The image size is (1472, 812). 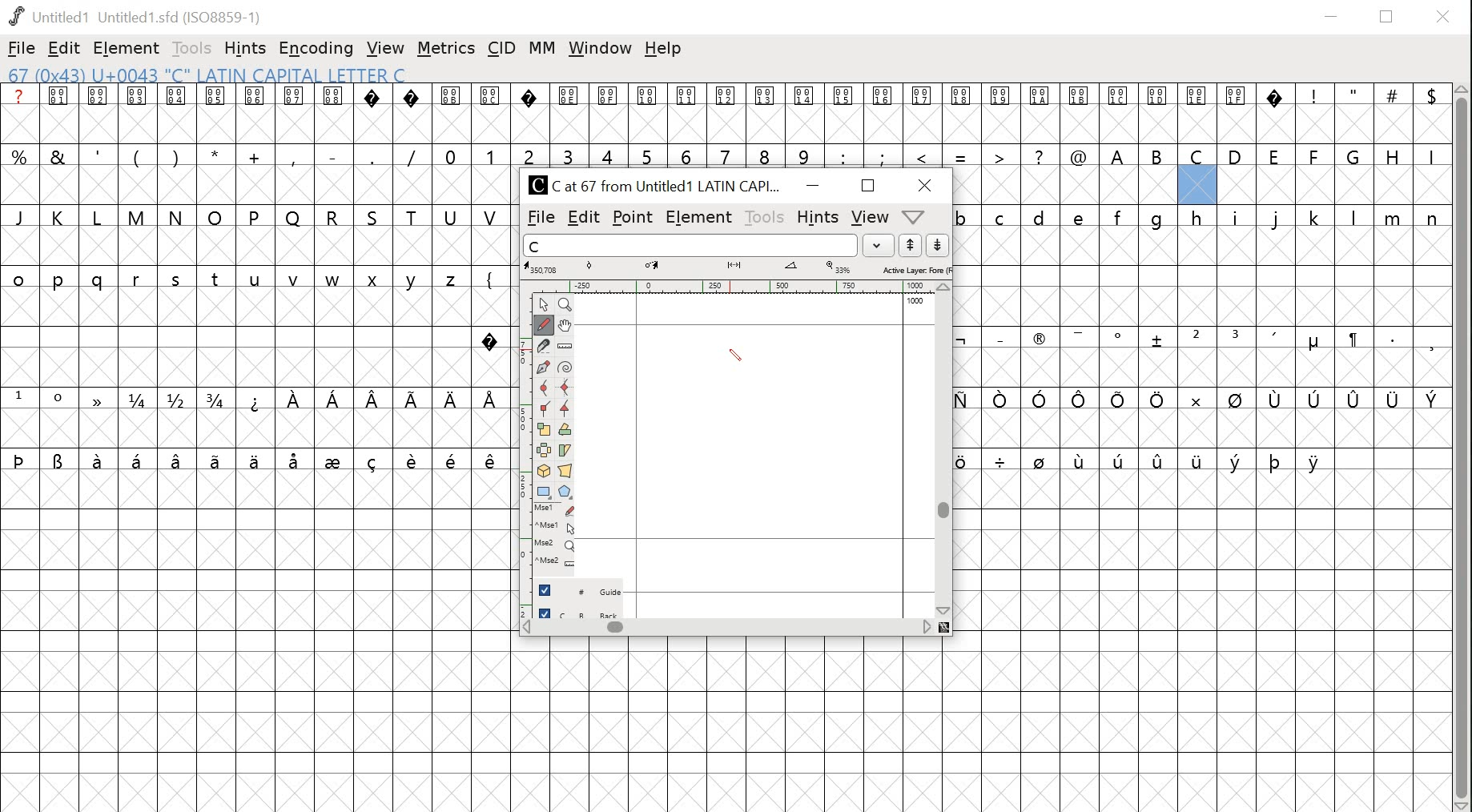 What do you see at coordinates (568, 304) in the screenshot?
I see `zoom` at bounding box center [568, 304].